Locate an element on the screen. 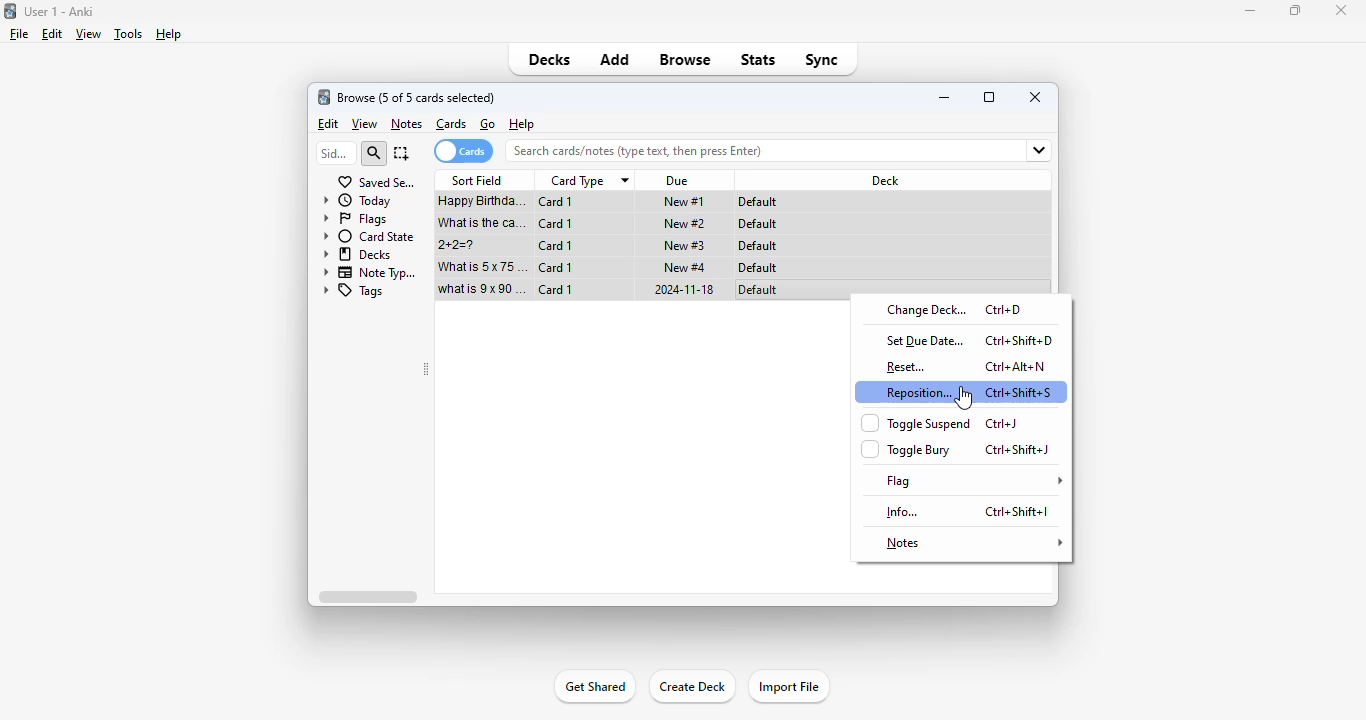 This screenshot has height=720, width=1366. saved searches is located at coordinates (377, 182).